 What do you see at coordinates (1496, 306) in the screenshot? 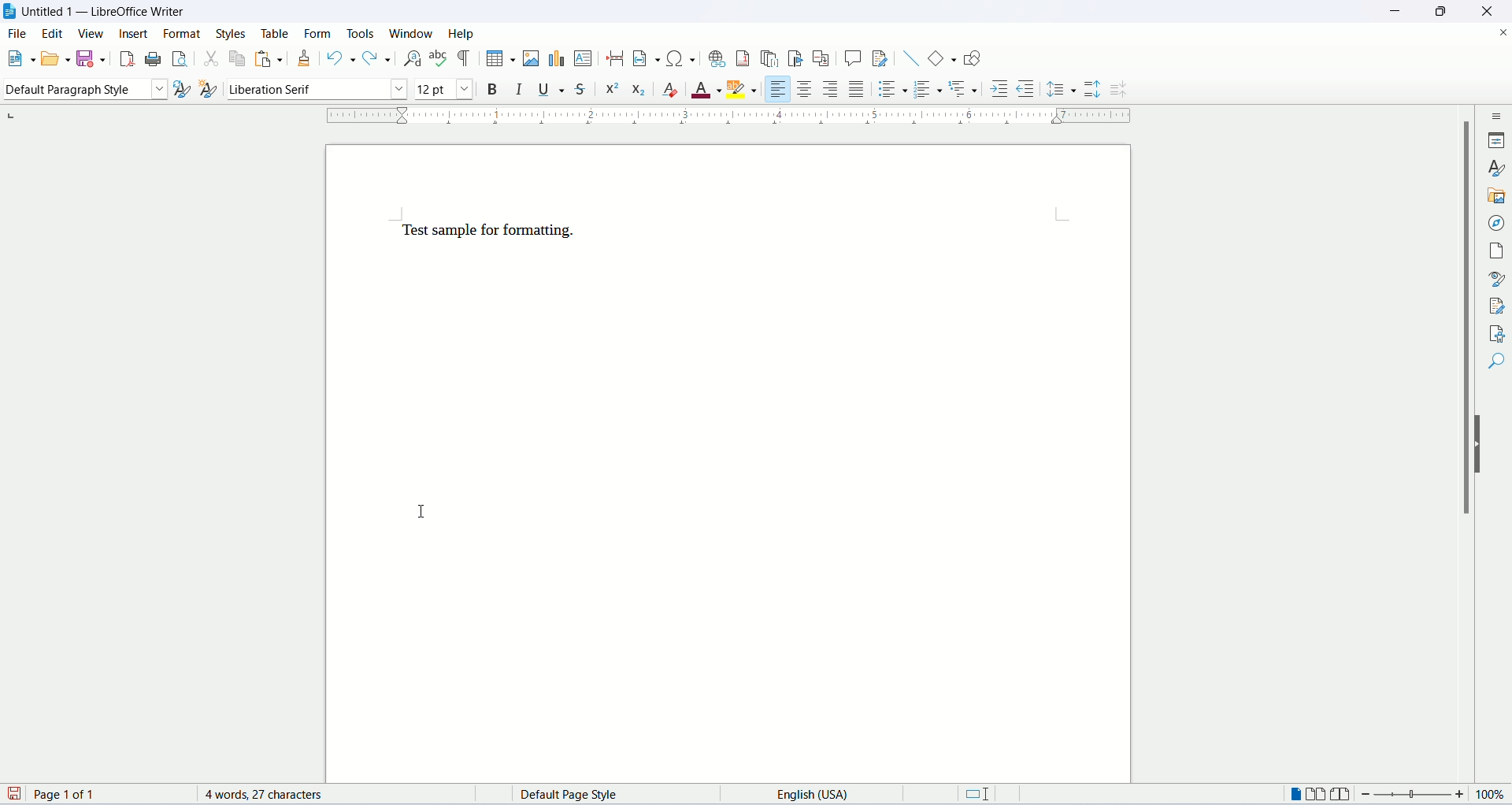
I see `manage changes` at bounding box center [1496, 306].